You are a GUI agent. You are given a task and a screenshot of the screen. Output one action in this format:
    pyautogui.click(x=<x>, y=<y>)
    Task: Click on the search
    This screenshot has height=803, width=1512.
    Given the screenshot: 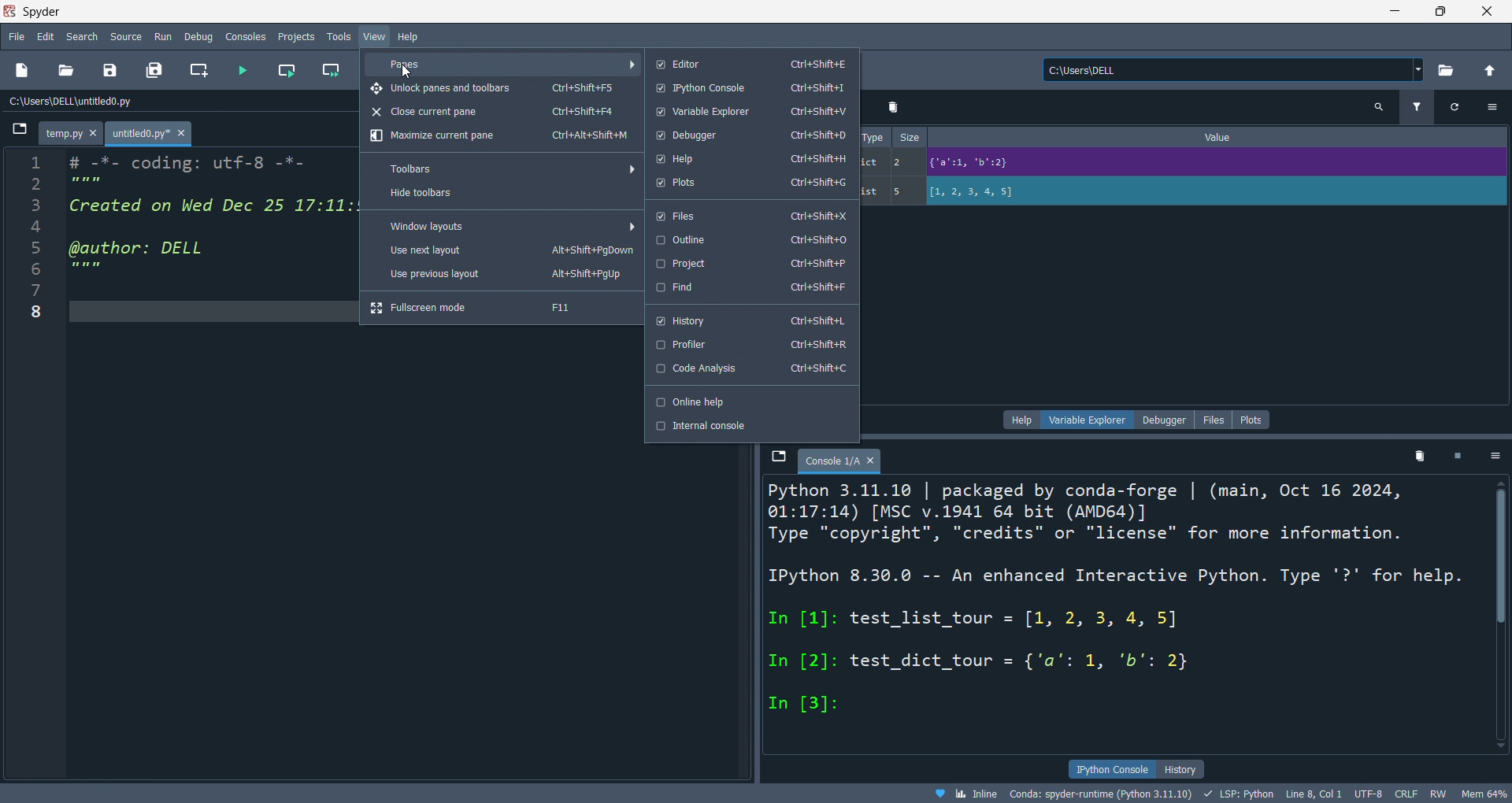 What is the action you would take?
    pyautogui.click(x=83, y=36)
    